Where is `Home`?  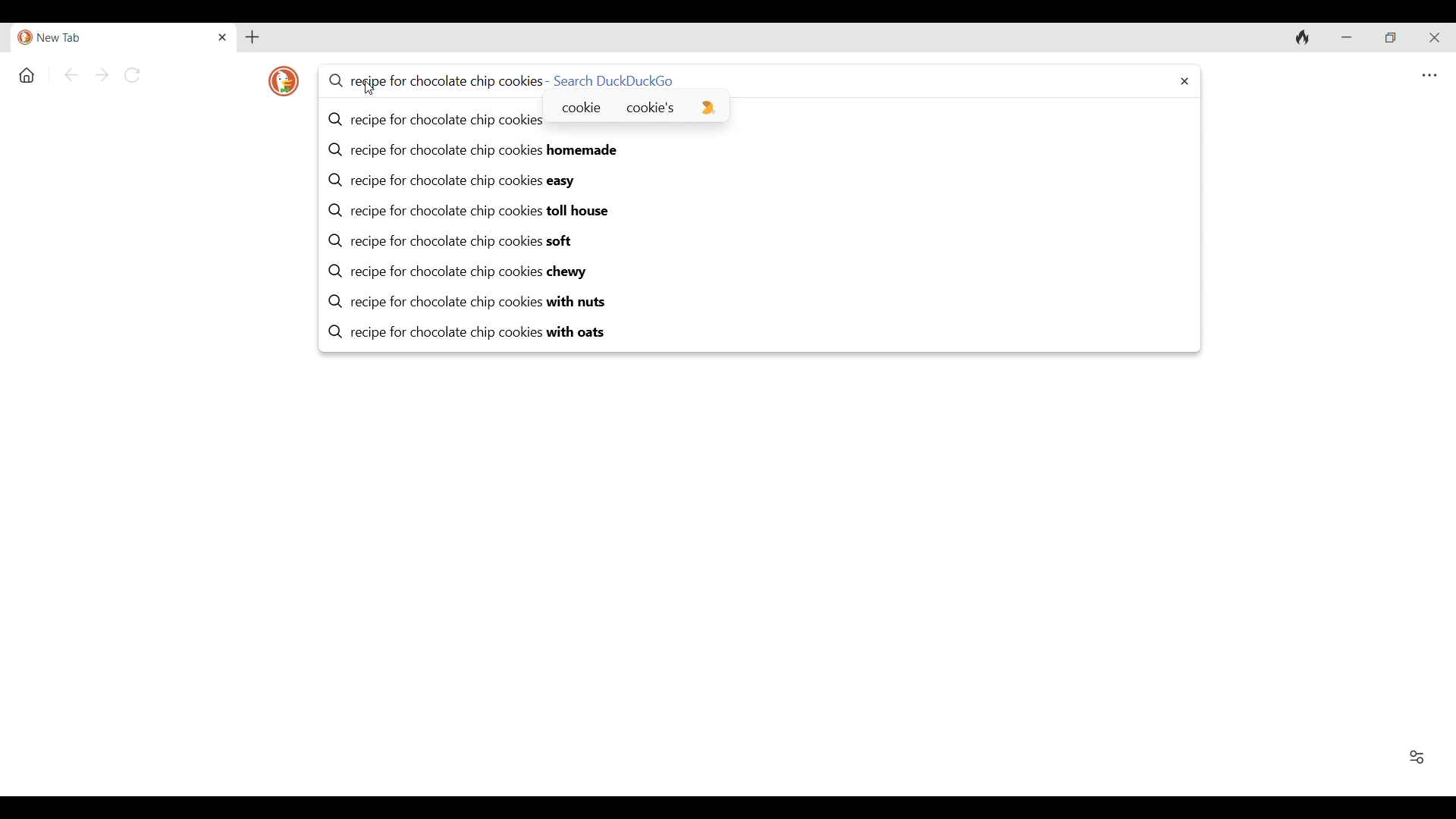 Home is located at coordinates (27, 76).